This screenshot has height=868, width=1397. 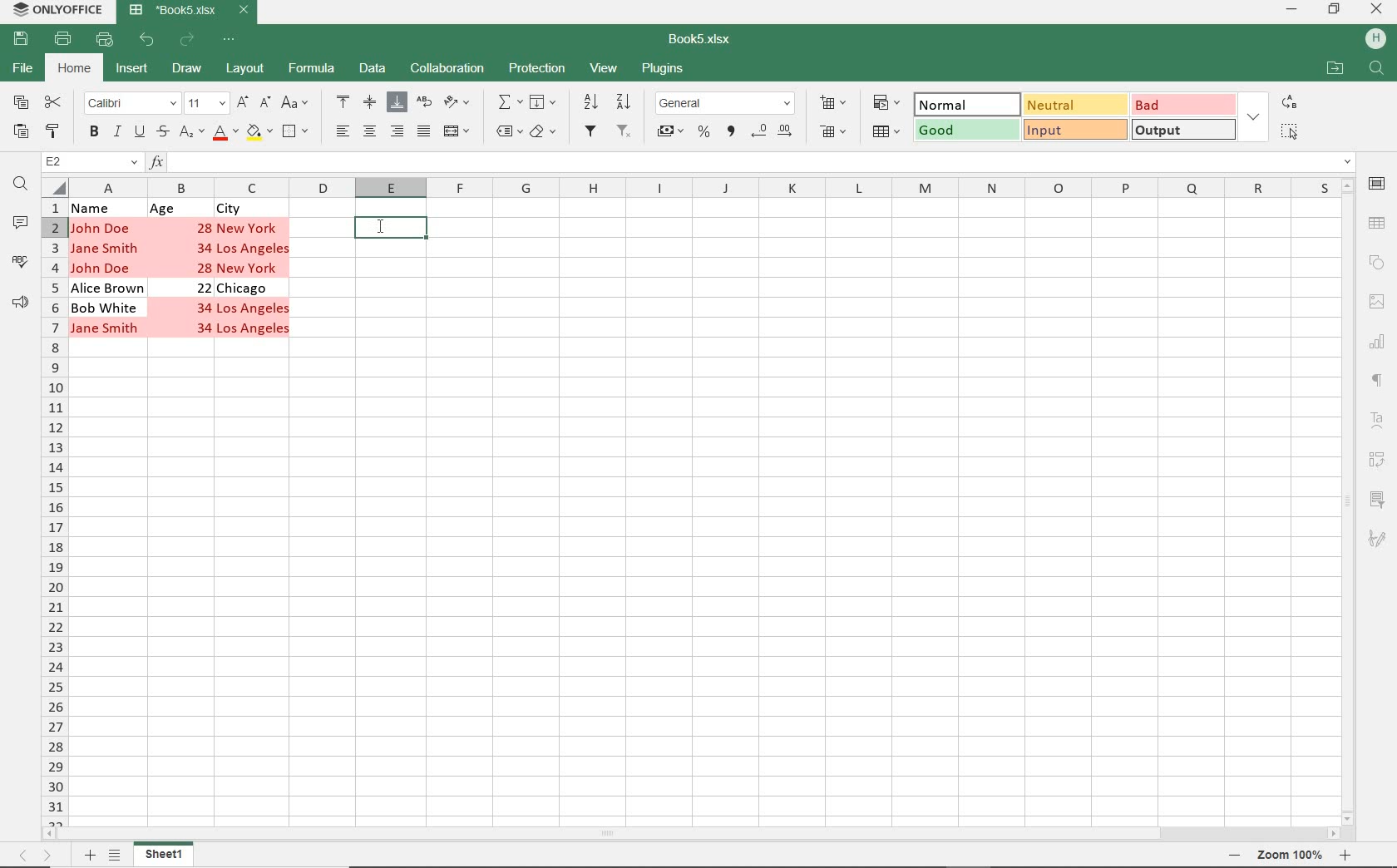 I want to click on REMOVE FILTERS, so click(x=627, y=133).